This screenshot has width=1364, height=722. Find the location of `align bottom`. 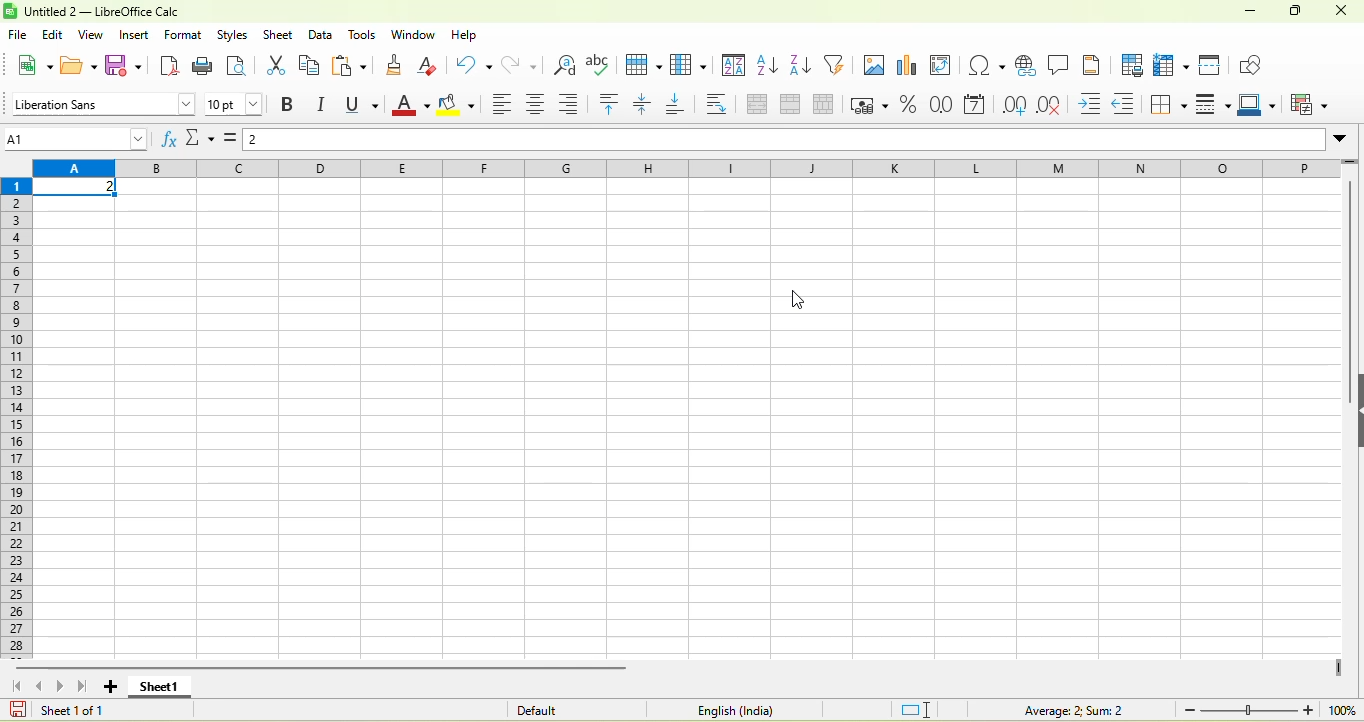

align bottom is located at coordinates (687, 105).